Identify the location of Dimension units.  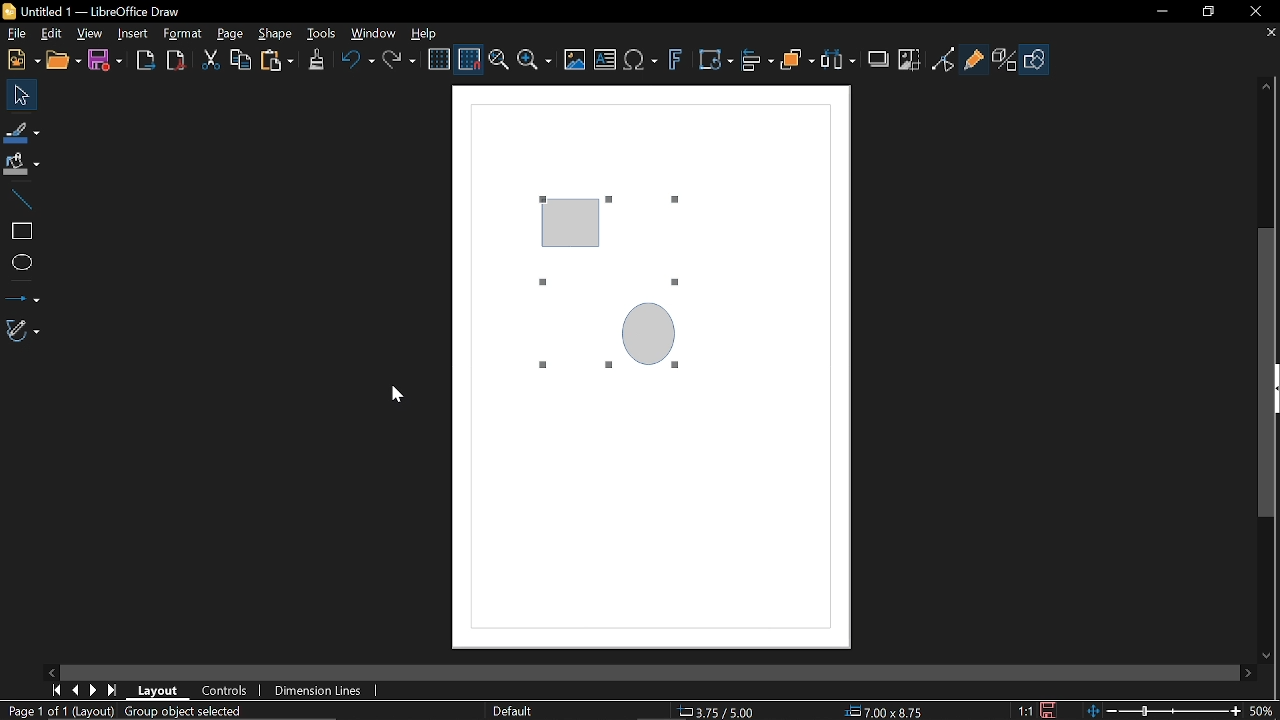
(316, 691).